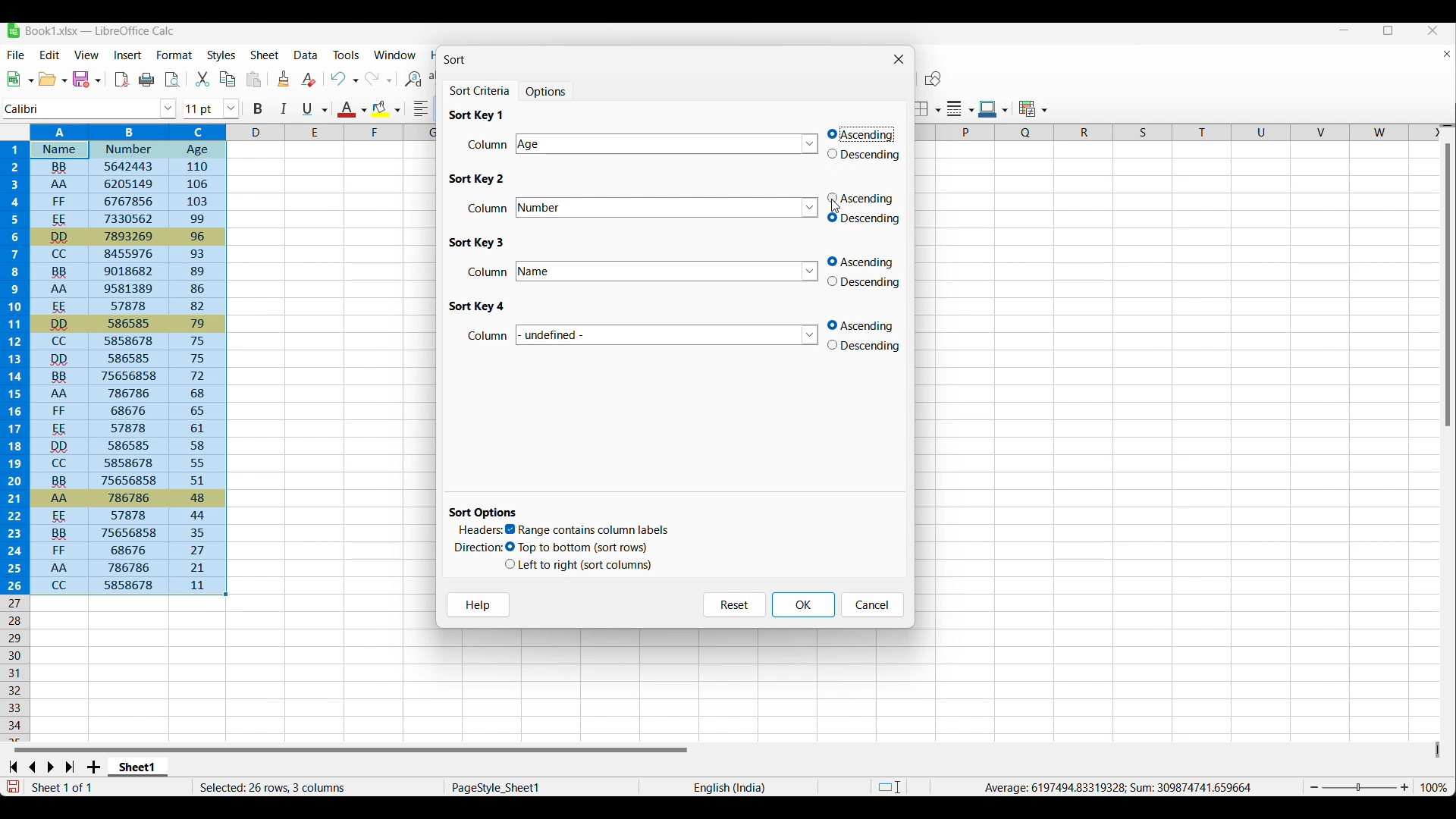 The width and height of the screenshot is (1456, 819). I want to click on Paste, so click(254, 79).